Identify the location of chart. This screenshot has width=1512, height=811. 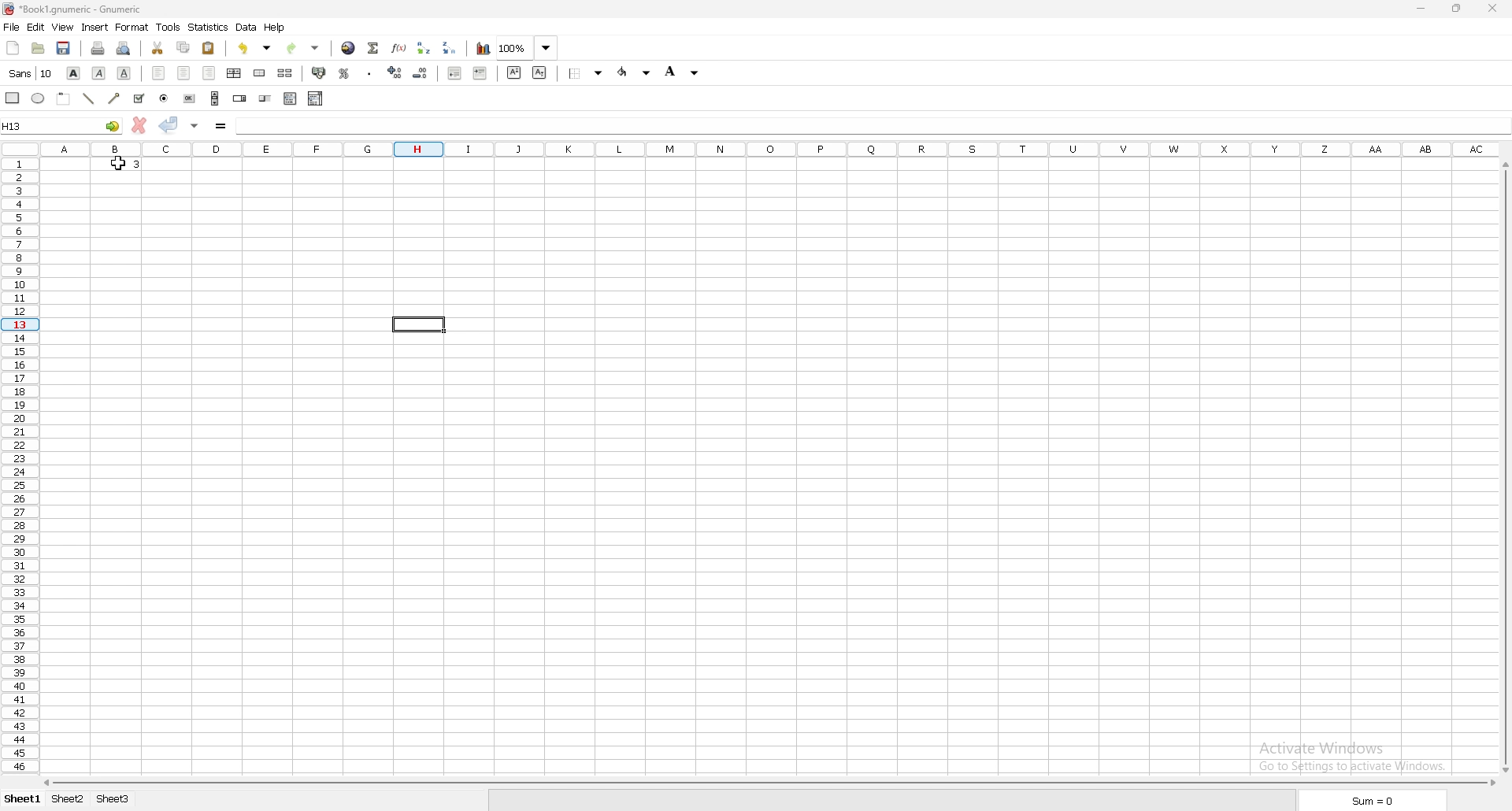
(484, 48).